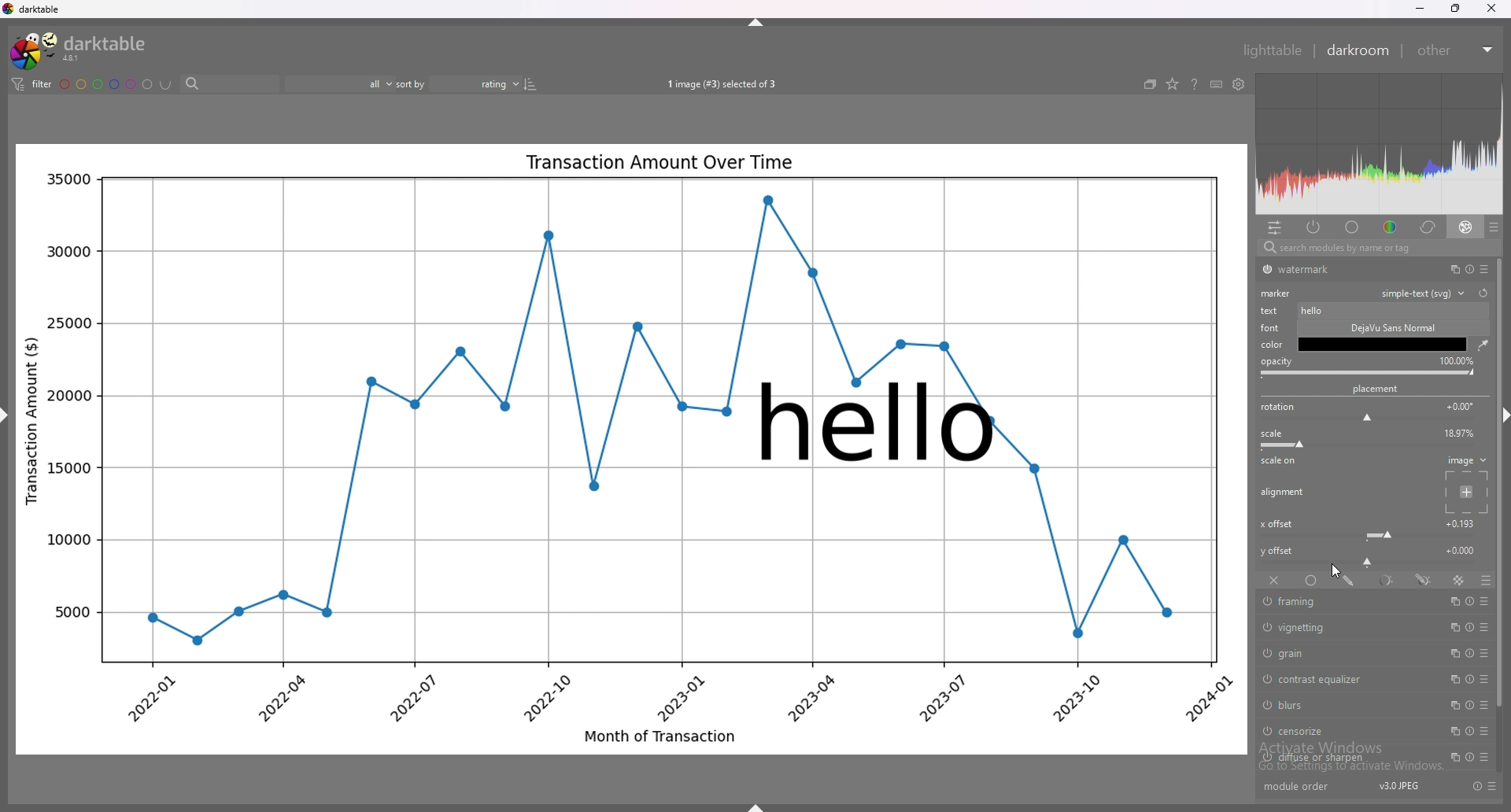  I want to click on multiple instances action, so click(1450, 758).